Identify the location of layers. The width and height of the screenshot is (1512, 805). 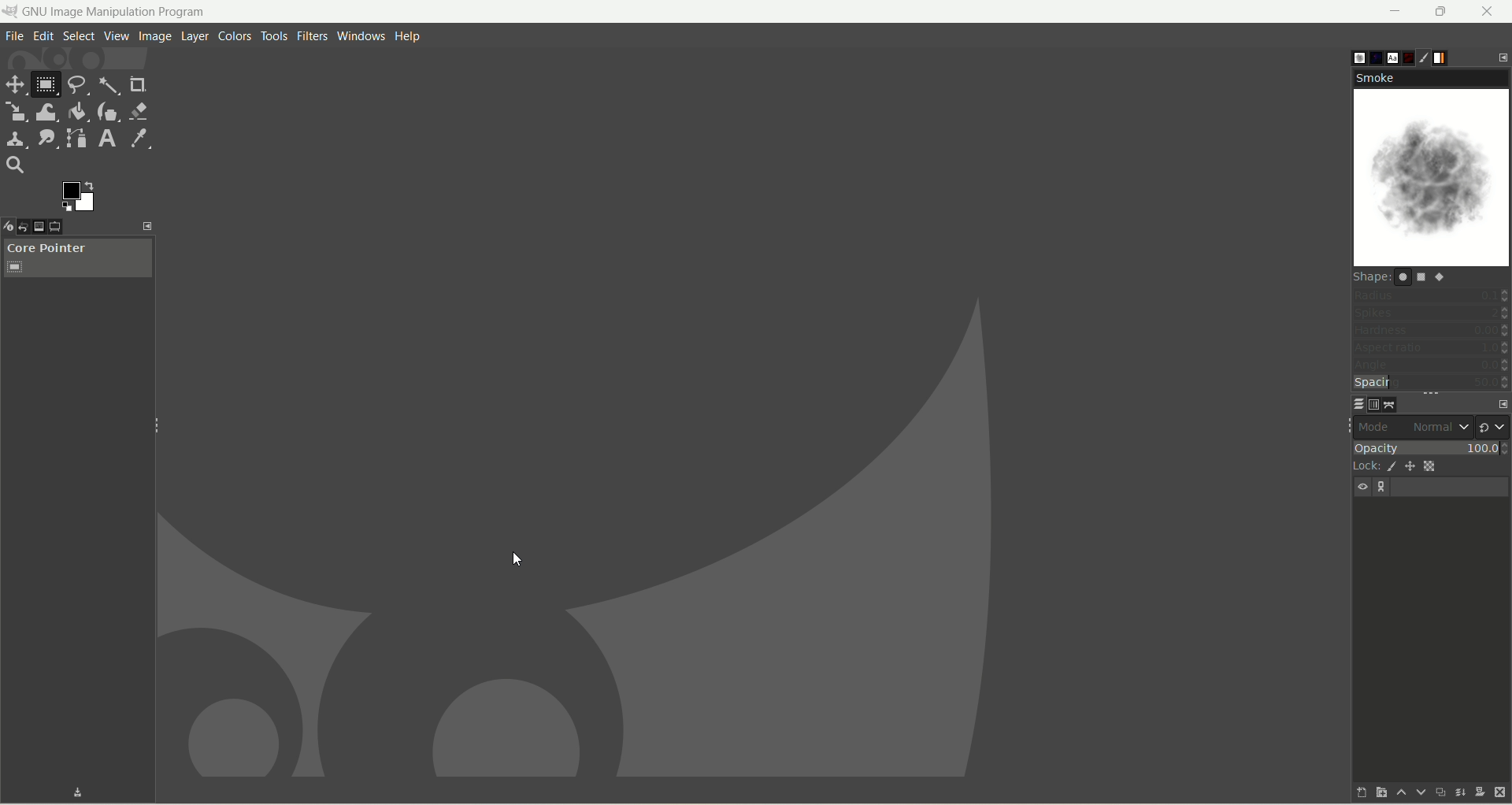
(1349, 403).